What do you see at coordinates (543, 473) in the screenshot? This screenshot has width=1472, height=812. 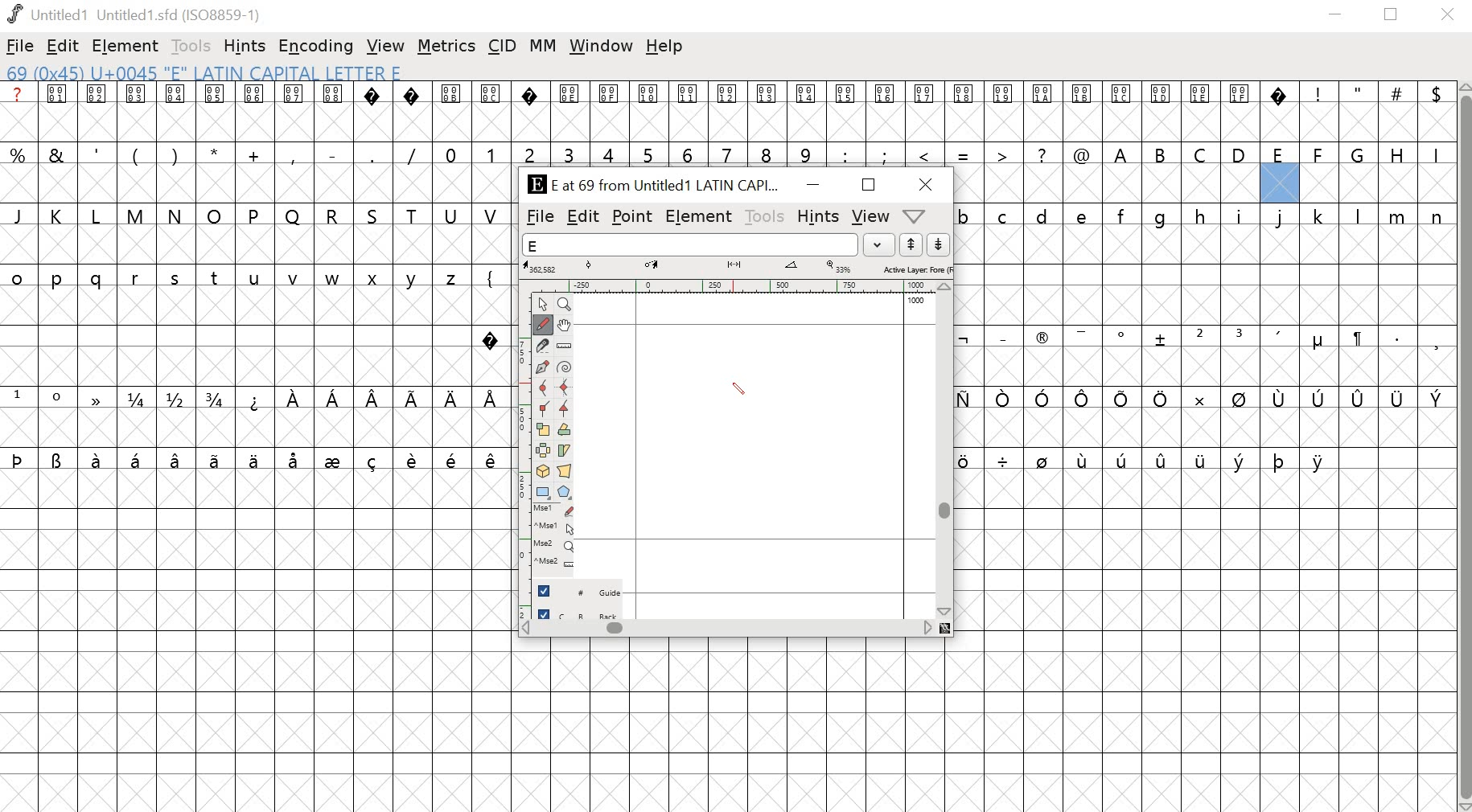 I see `3D rotate` at bounding box center [543, 473].